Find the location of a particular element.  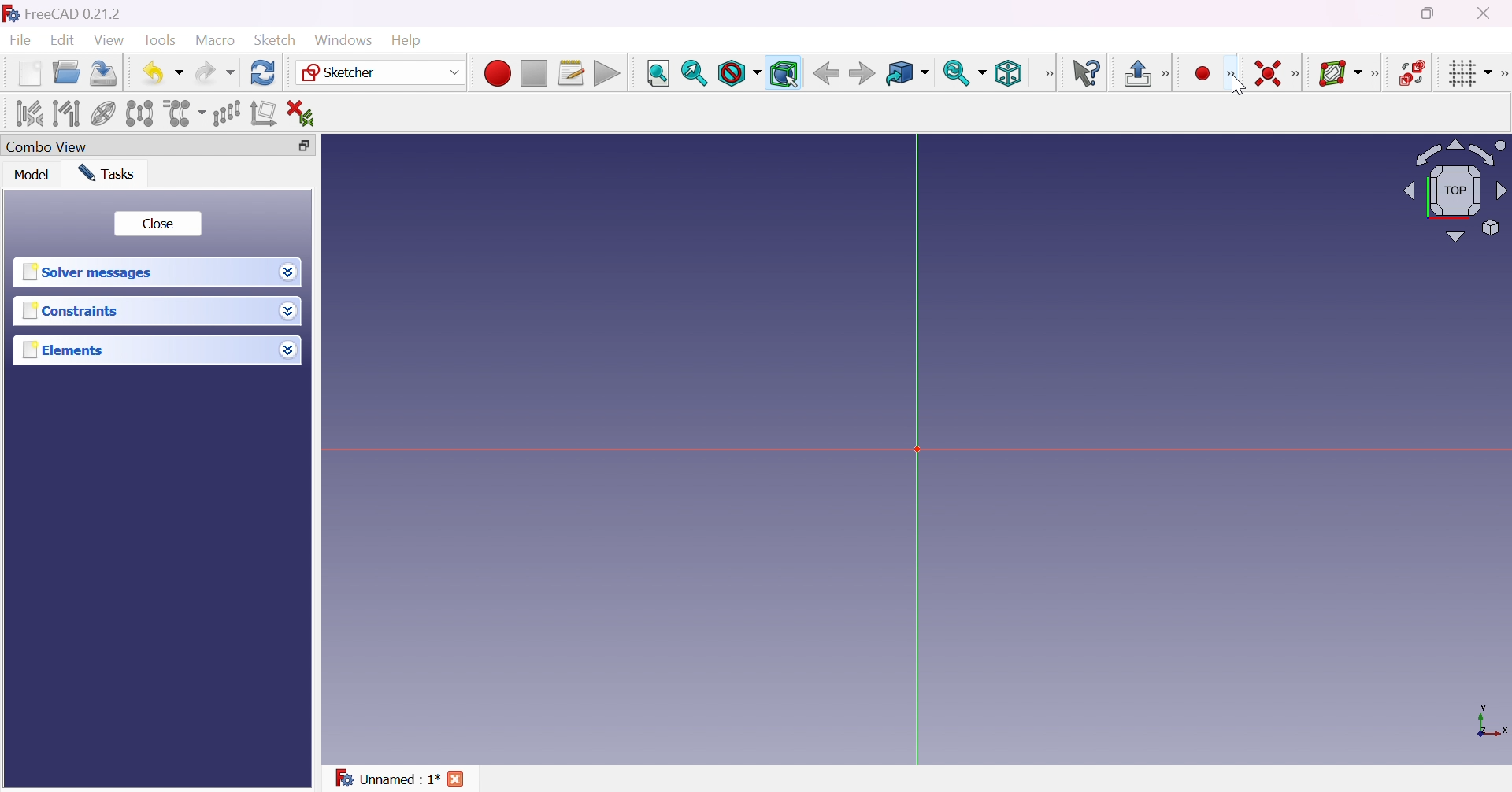

Show/hide B-spline information layer is located at coordinates (1339, 73).